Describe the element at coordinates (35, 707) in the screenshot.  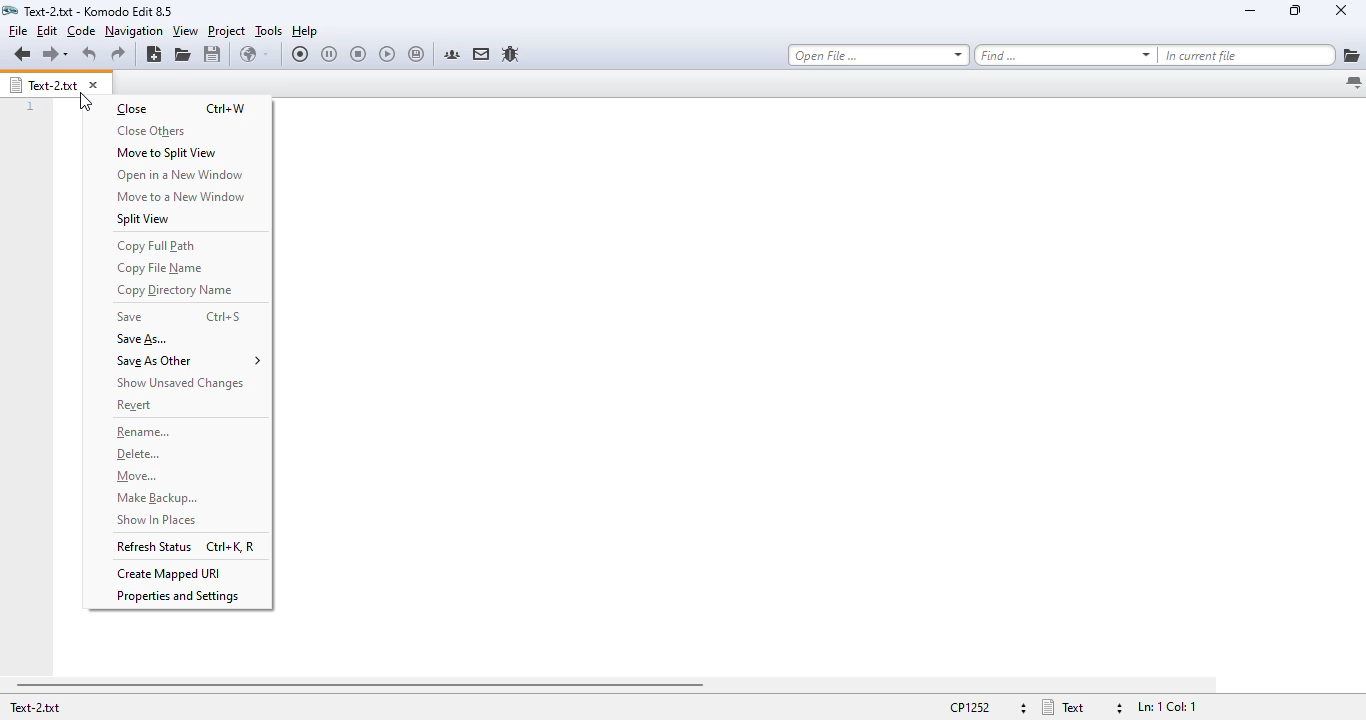
I see `text-2` at that location.